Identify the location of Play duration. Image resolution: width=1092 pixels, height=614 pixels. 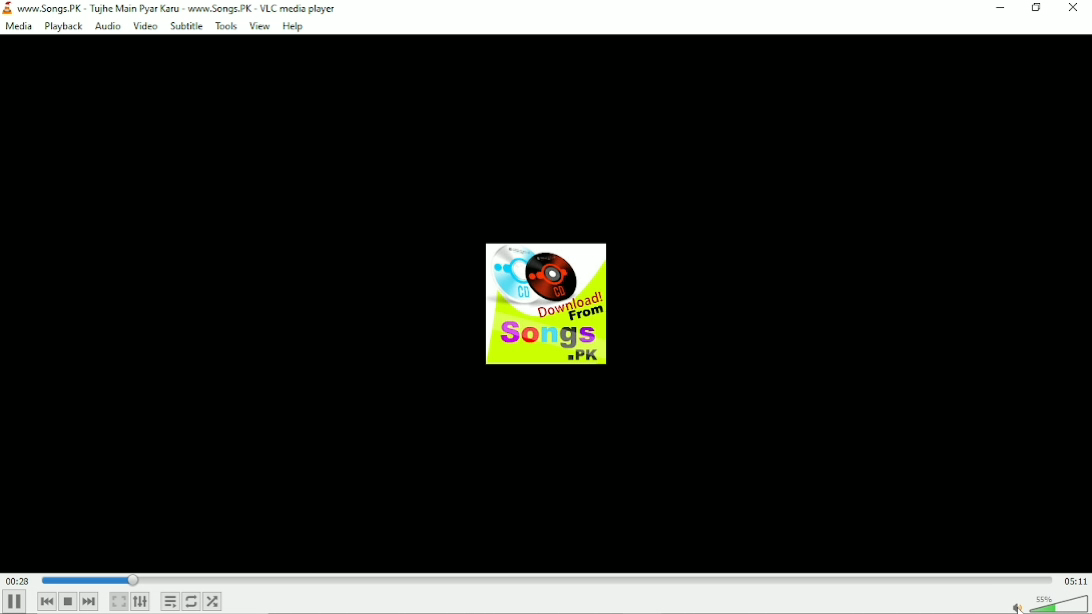
(546, 579).